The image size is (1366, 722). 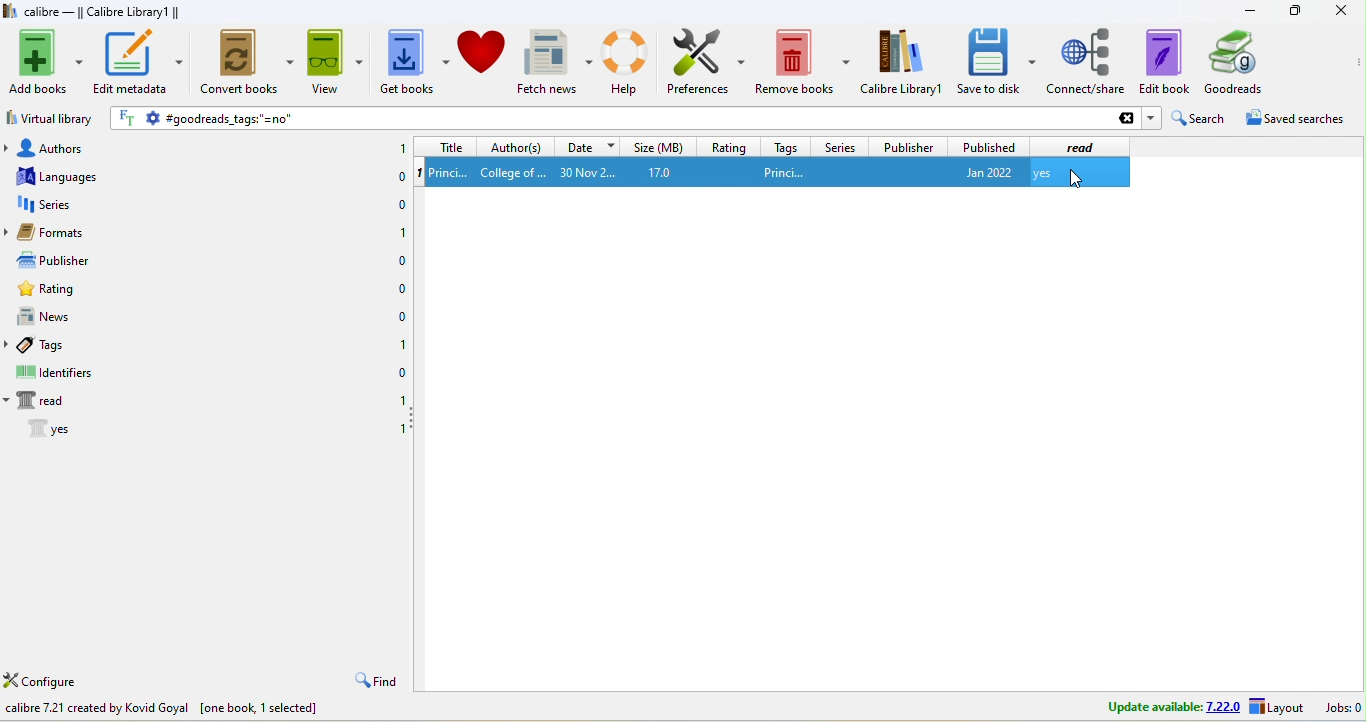 I want to click on resize, so click(x=1294, y=10).